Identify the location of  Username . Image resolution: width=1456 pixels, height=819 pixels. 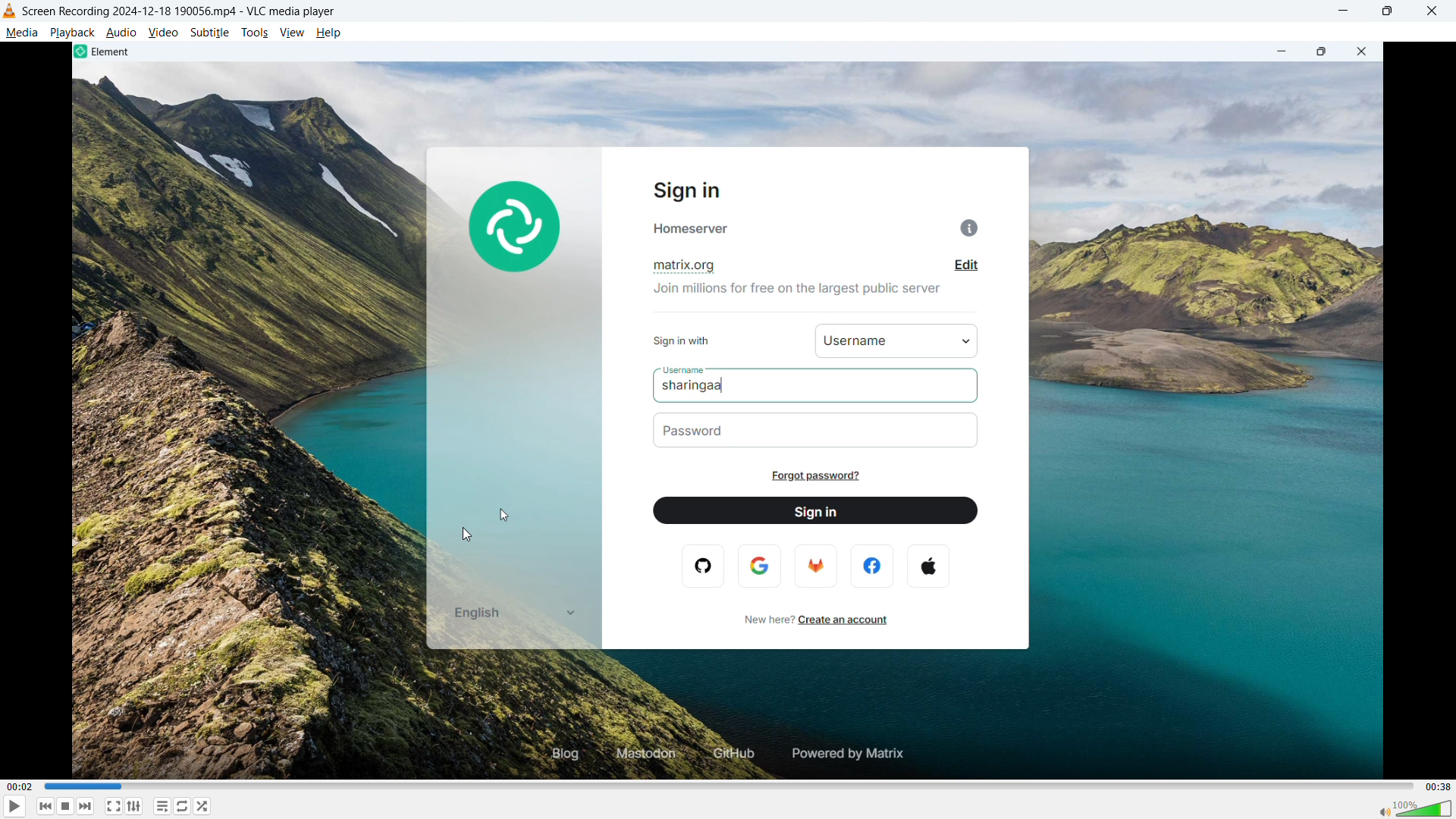
(682, 370).